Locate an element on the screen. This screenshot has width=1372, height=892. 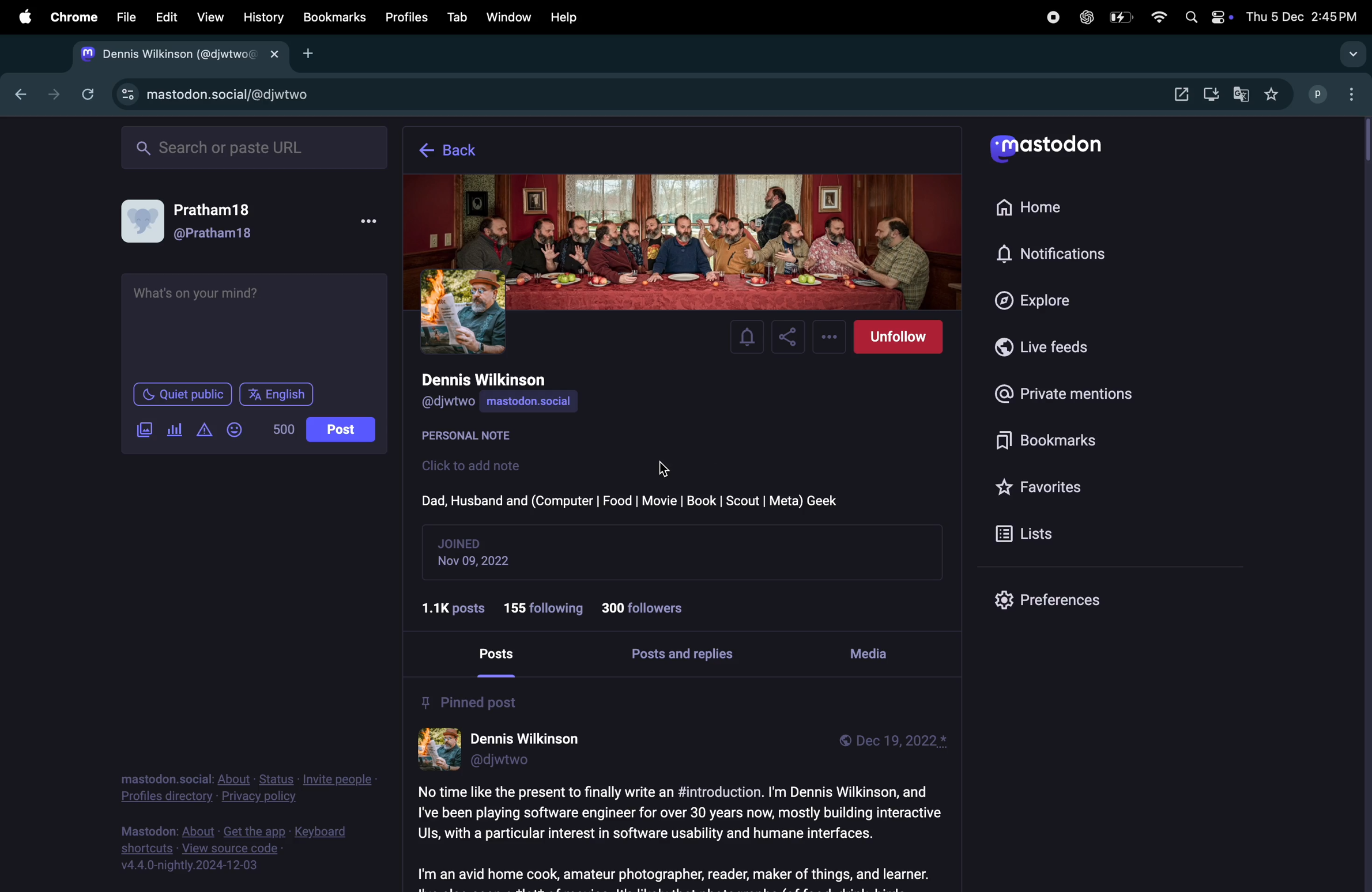
joined is located at coordinates (463, 542).